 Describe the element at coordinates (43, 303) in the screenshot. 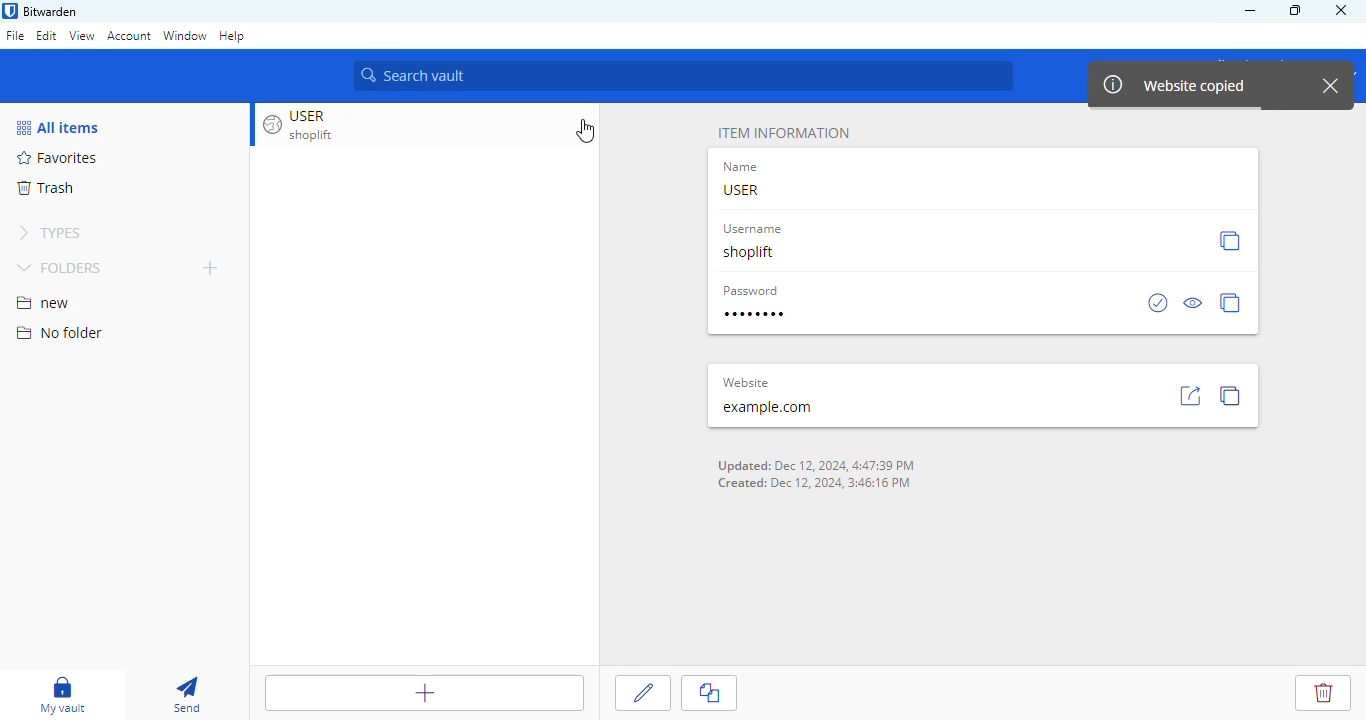

I see `new` at that location.